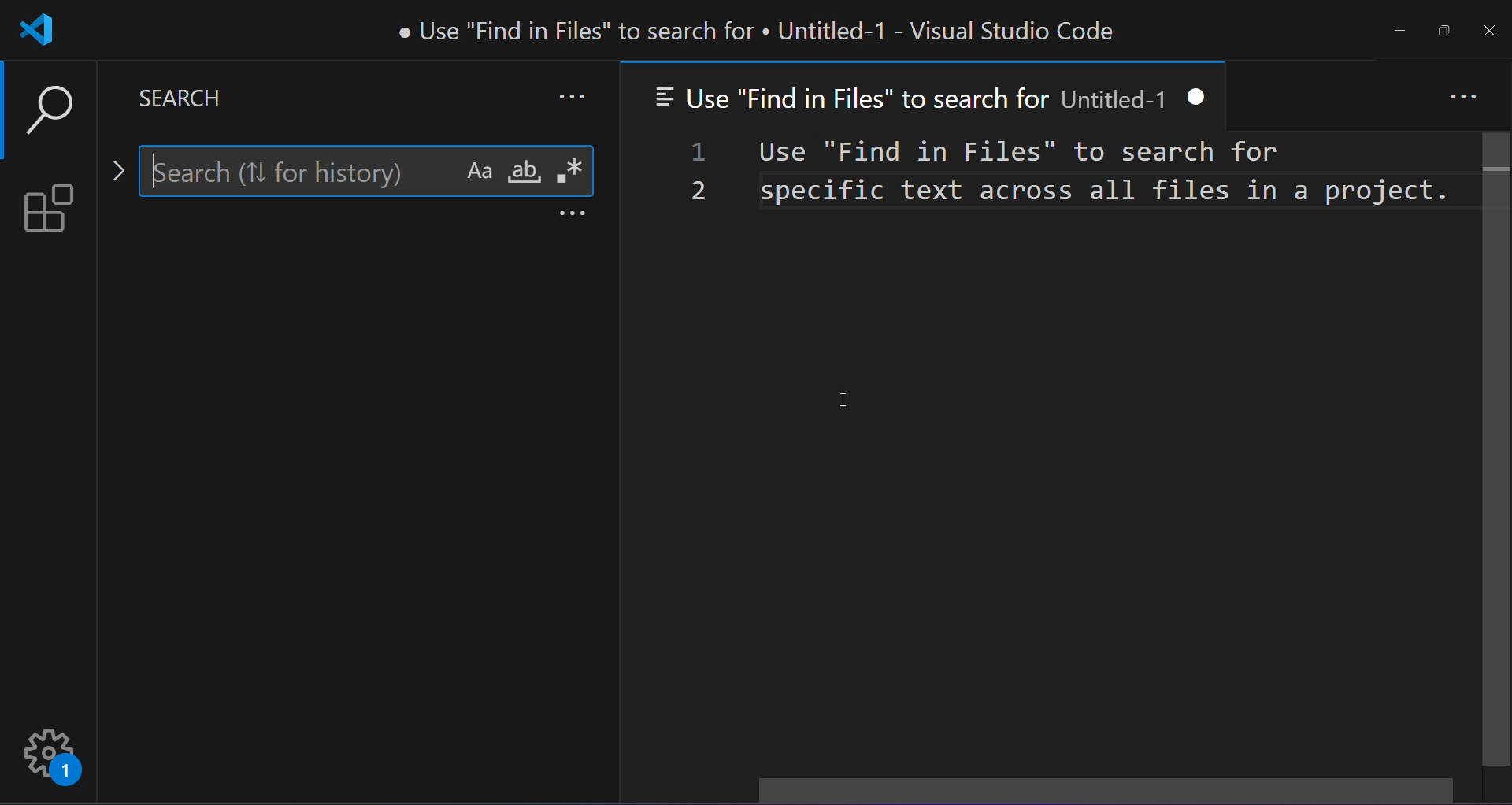  Describe the element at coordinates (571, 169) in the screenshot. I see `regular expression` at that location.